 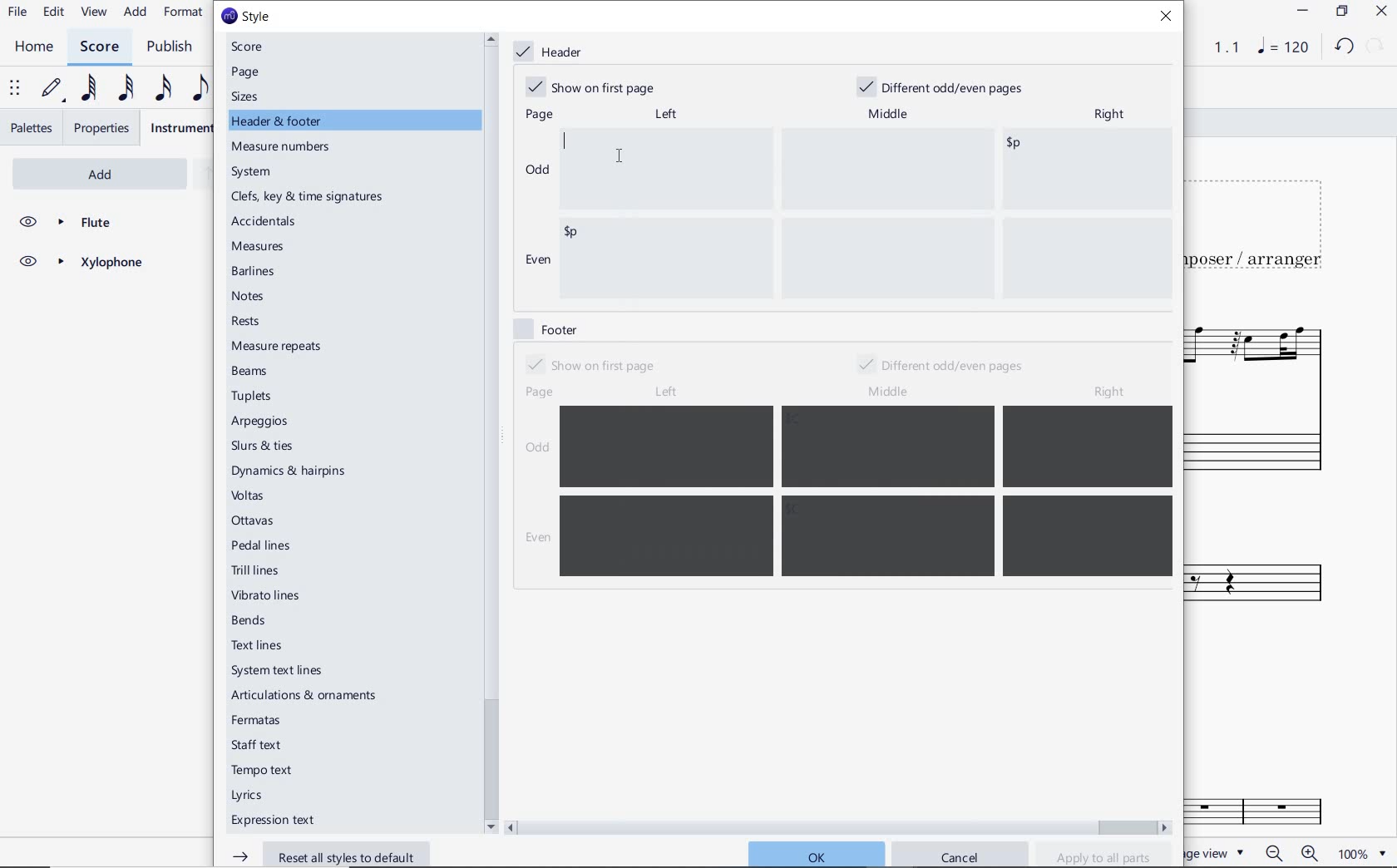 I want to click on right, so click(x=1113, y=392).